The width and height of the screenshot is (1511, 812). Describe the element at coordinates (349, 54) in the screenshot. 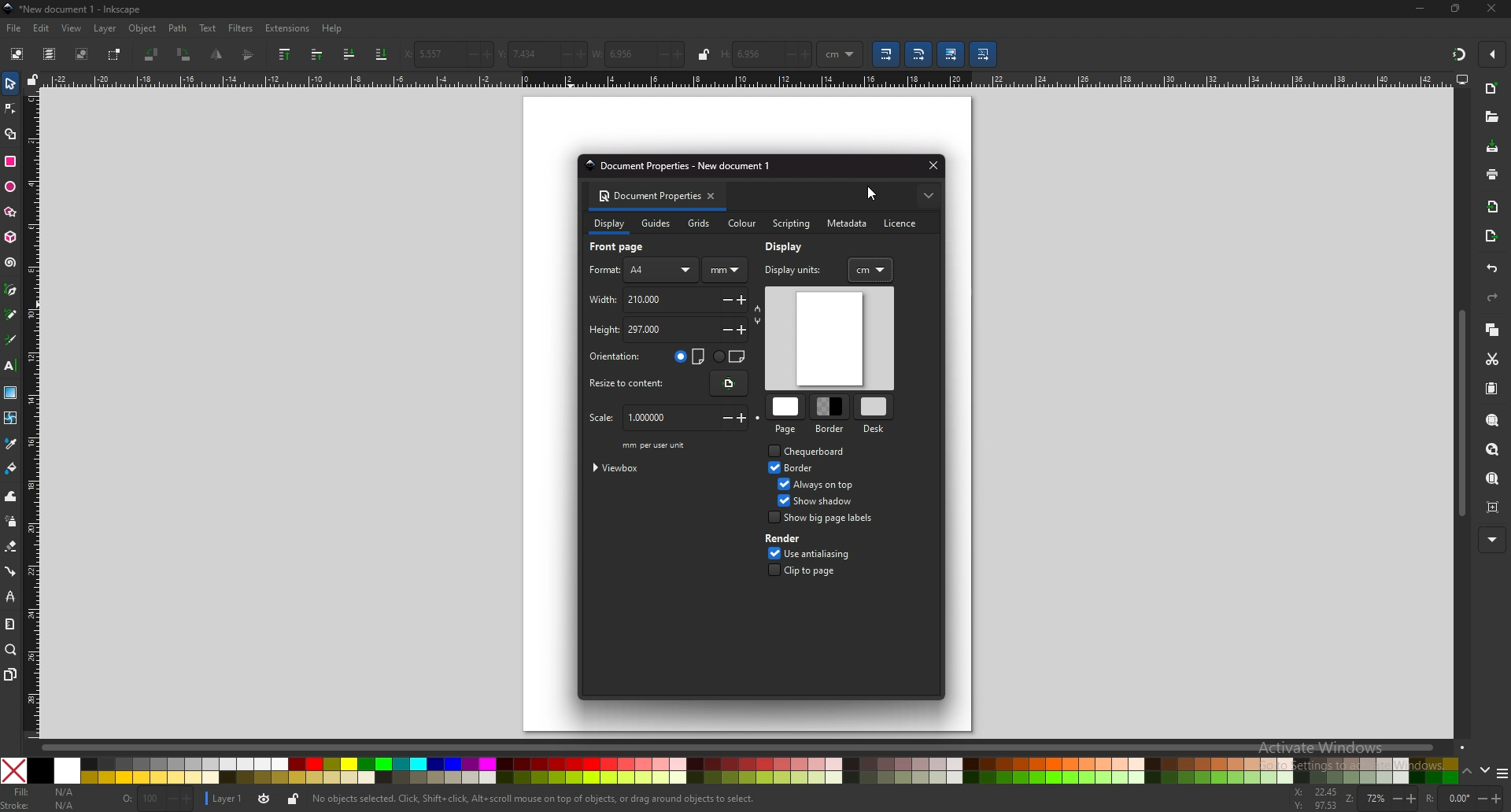

I see `lower selection to one step` at that location.